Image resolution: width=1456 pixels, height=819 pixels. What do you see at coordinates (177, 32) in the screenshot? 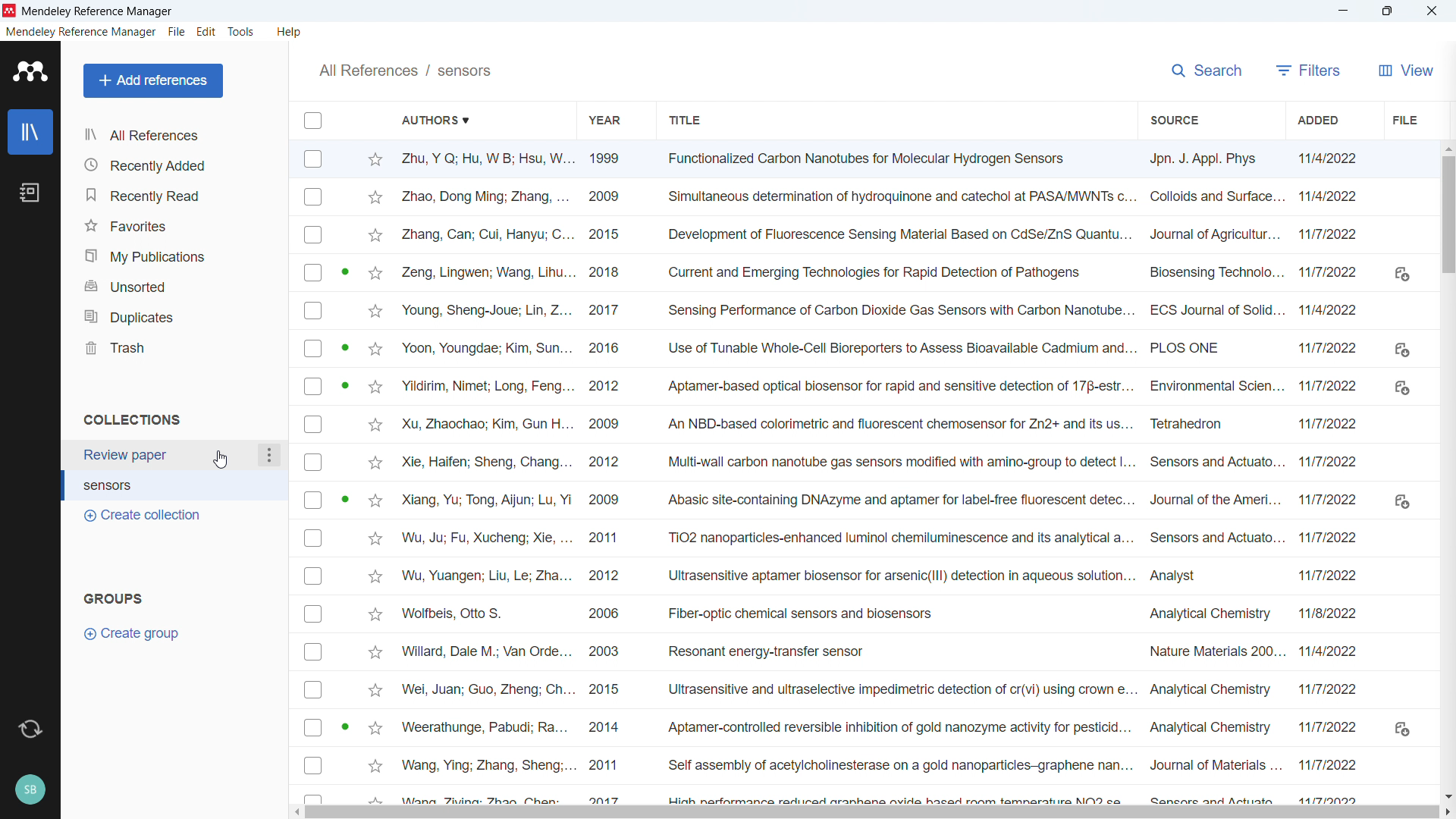
I see `File ` at bounding box center [177, 32].